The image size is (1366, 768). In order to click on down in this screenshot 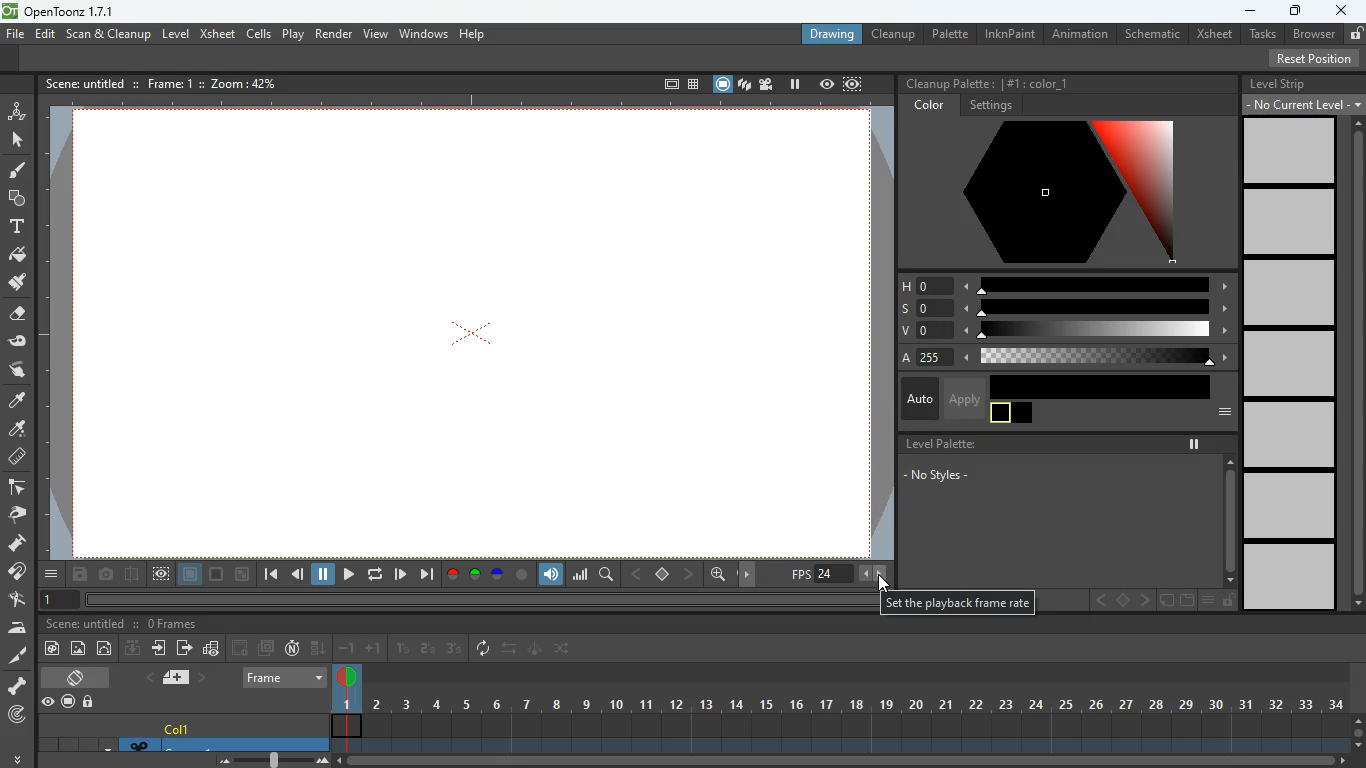, I will do `click(316, 649)`.